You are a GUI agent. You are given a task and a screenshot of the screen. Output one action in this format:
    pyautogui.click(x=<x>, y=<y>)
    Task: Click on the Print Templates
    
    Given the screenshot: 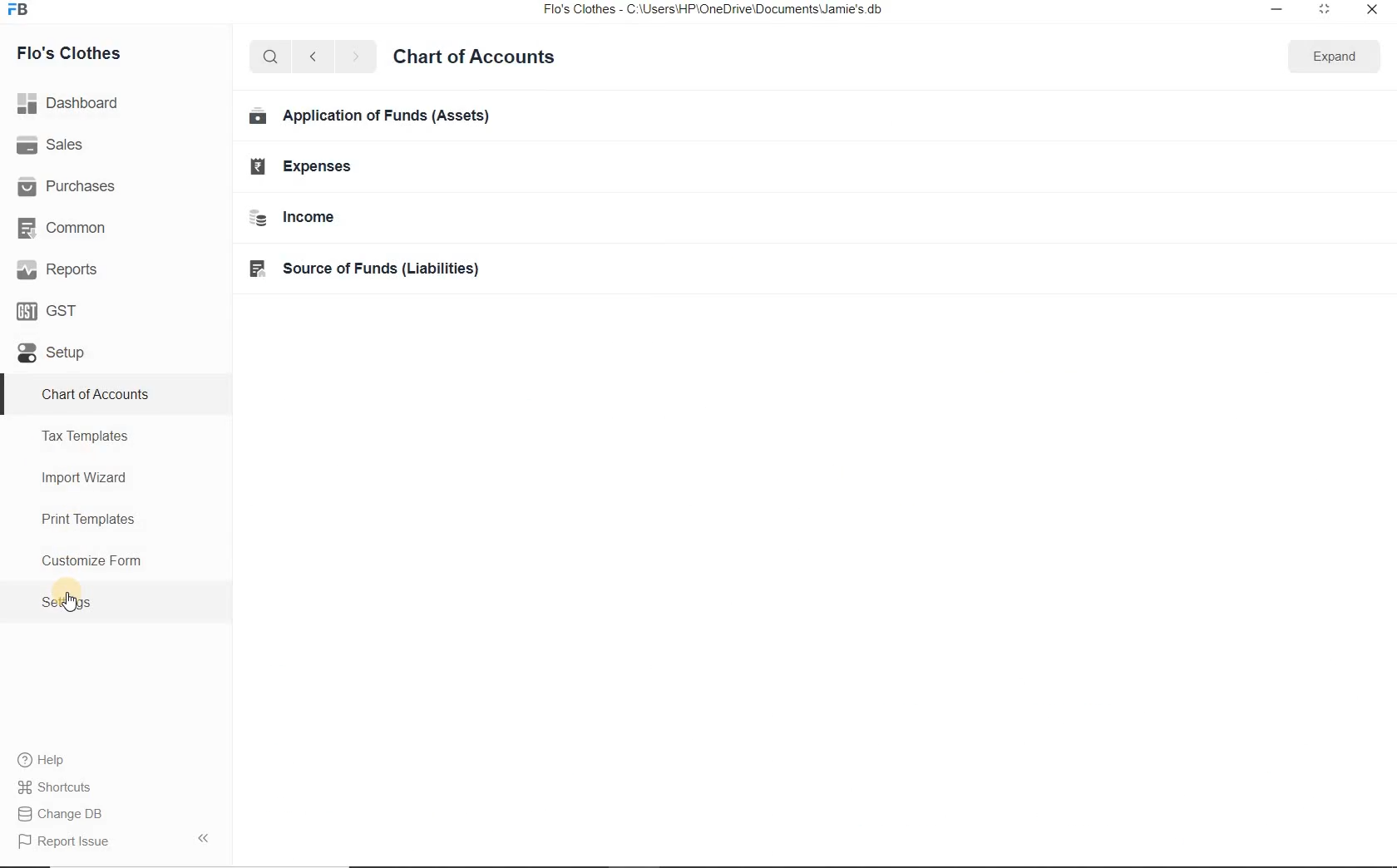 What is the action you would take?
    pyautogui.click(x=116, y=518)
    